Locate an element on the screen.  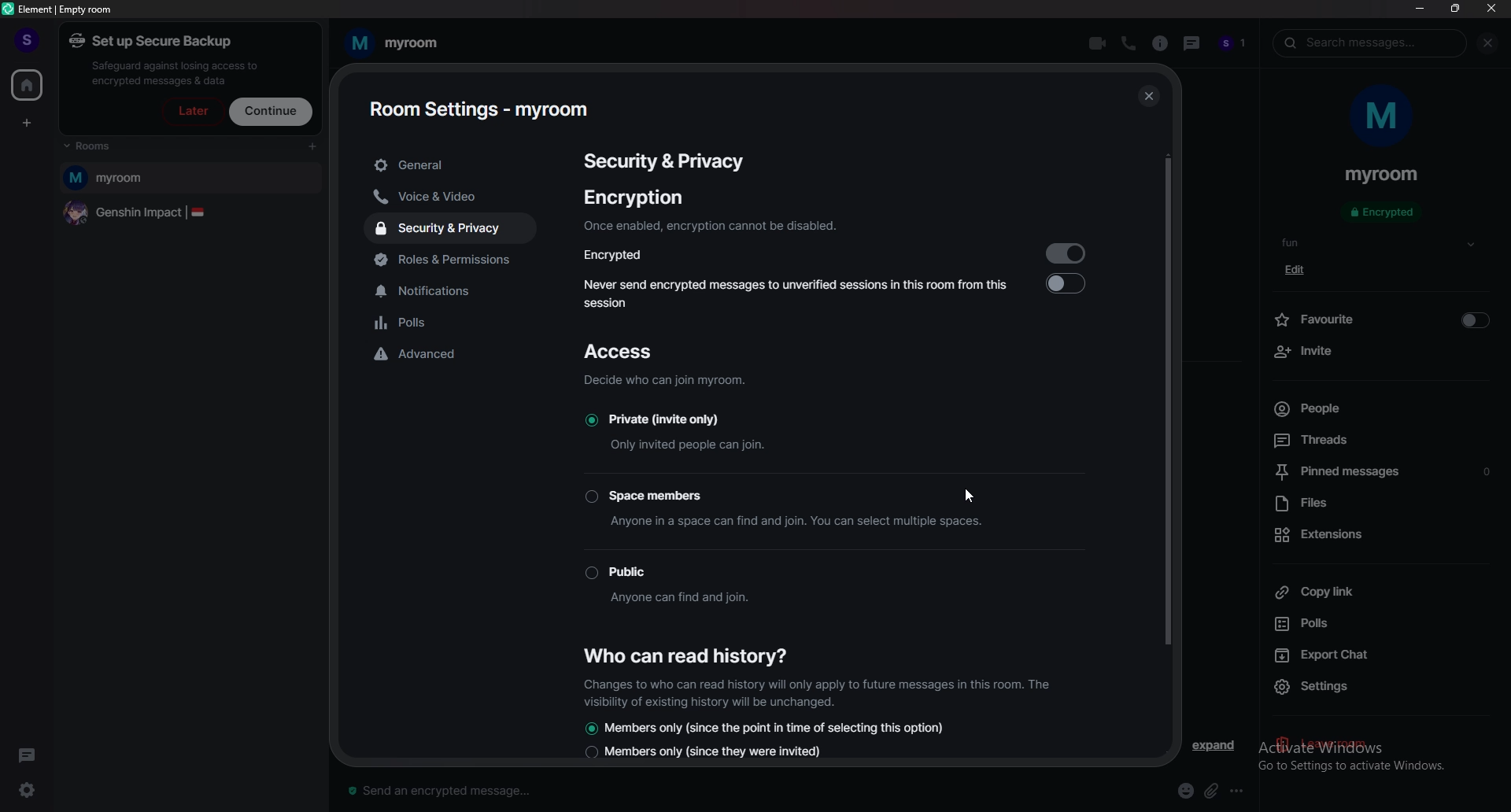
vertical scroll bar is located at coordinates (1166, 408).